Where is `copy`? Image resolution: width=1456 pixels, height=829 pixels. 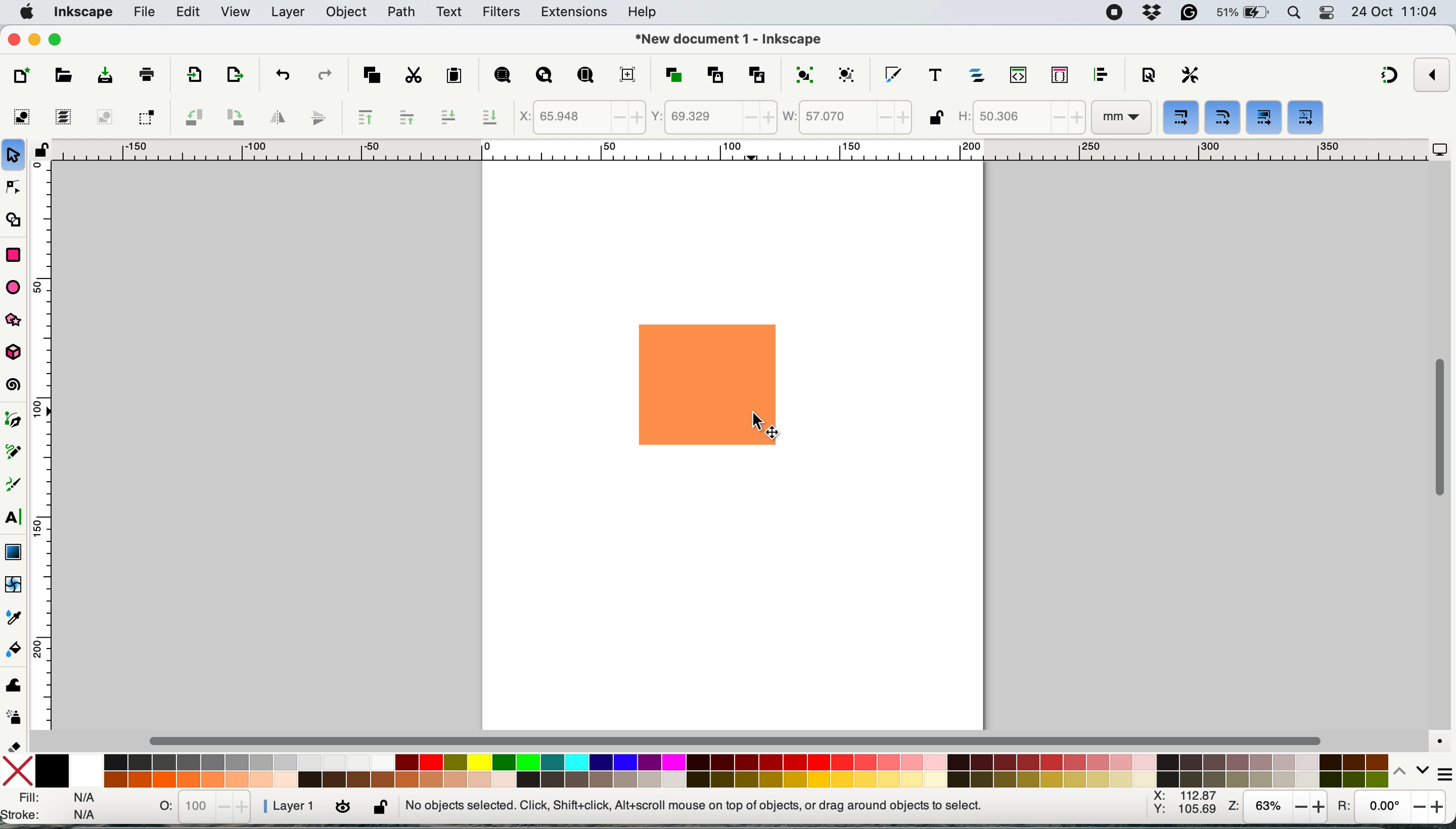
copy is located at coordinates (372, 73).